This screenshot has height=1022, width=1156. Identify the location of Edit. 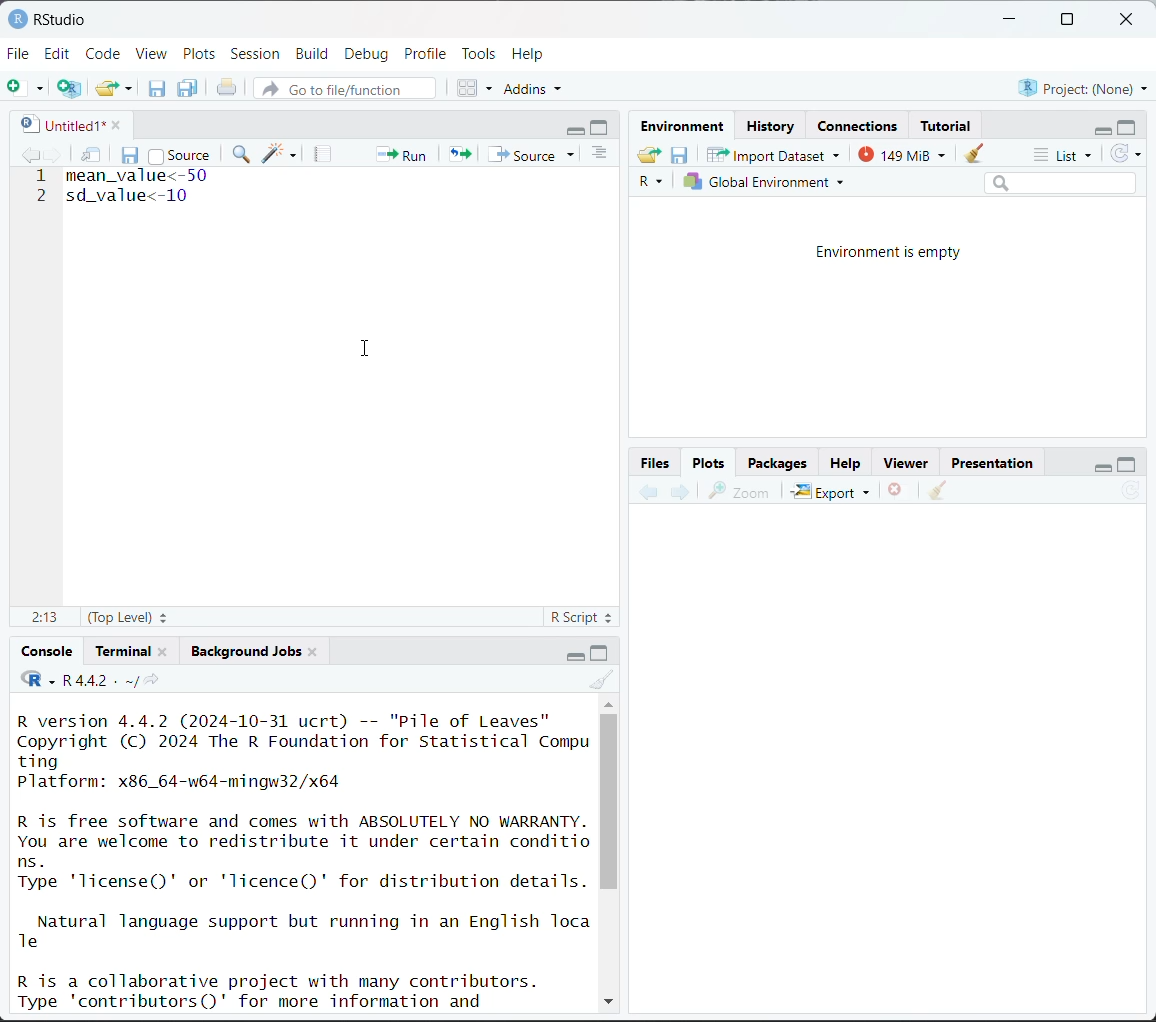
(60, 53).